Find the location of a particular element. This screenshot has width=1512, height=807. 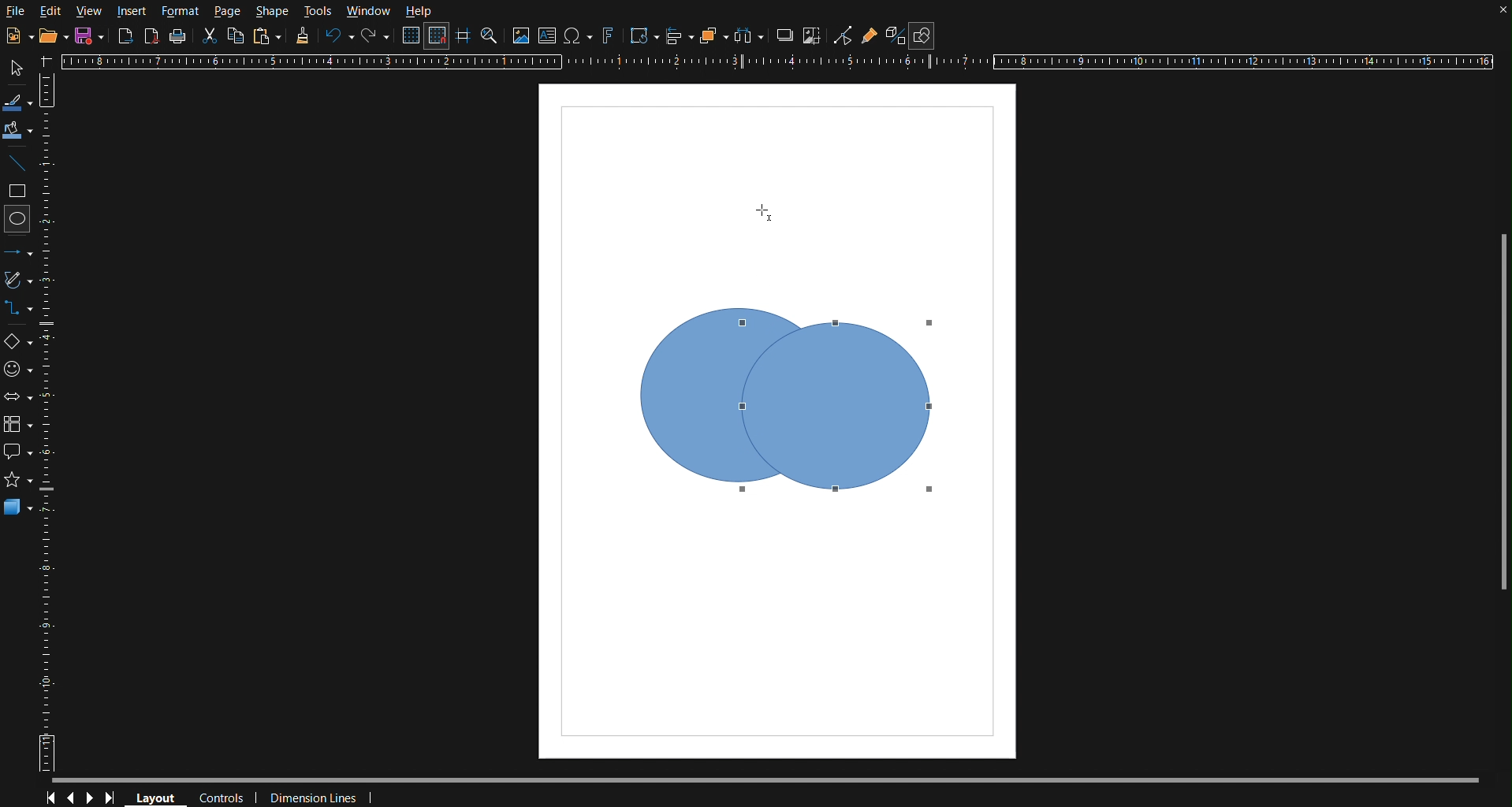

Toggle Point Edit Mode is located at coordinates (844, 37).